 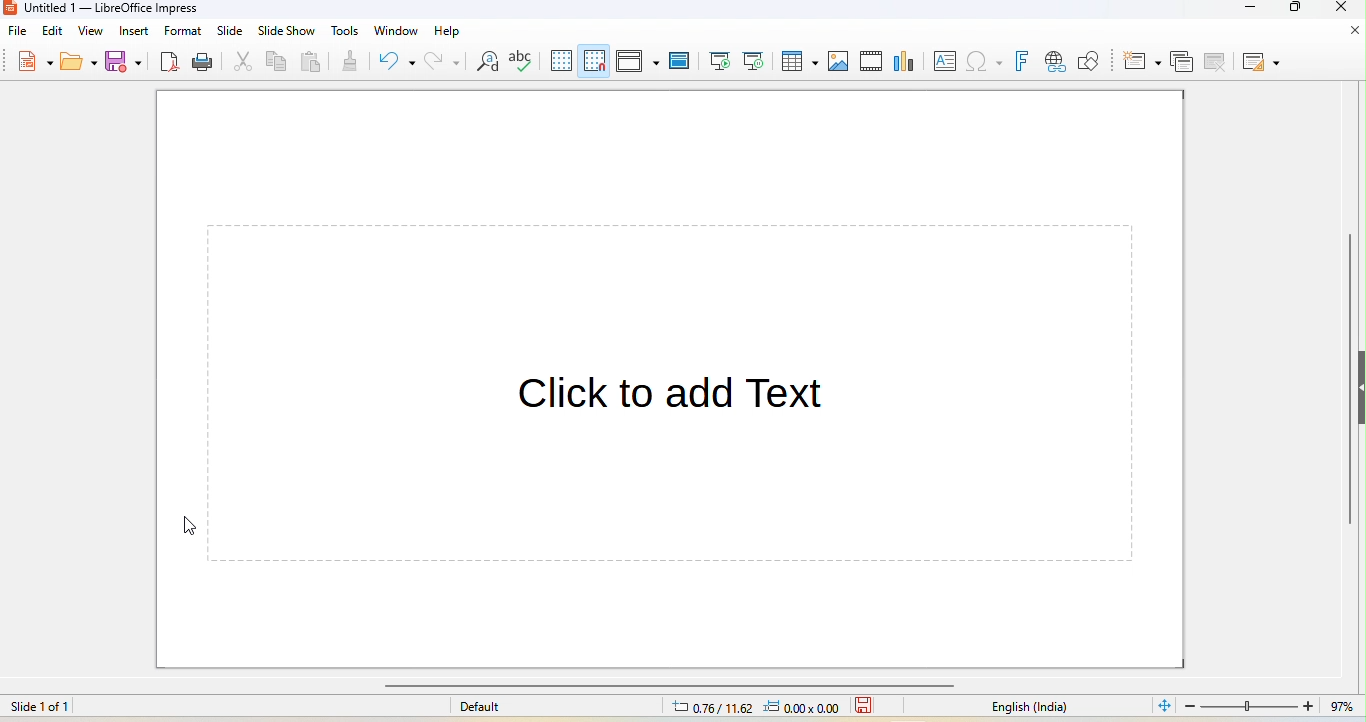 What do you see at coordinates (445, 62) in the screenshot?
I see `redo` at bounding box center [445, 62].